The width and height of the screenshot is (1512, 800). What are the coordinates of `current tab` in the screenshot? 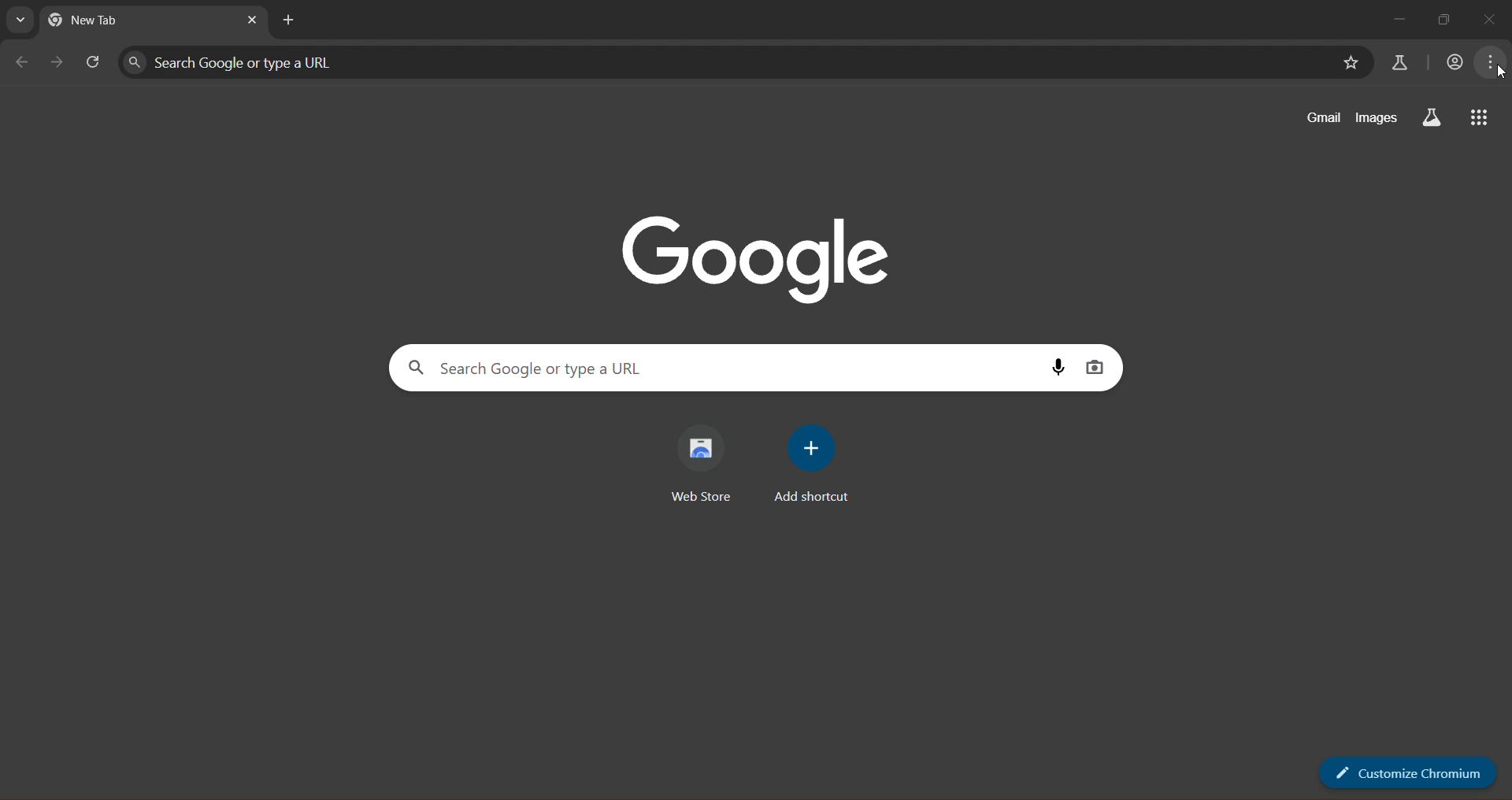 It's located at (109, 20).